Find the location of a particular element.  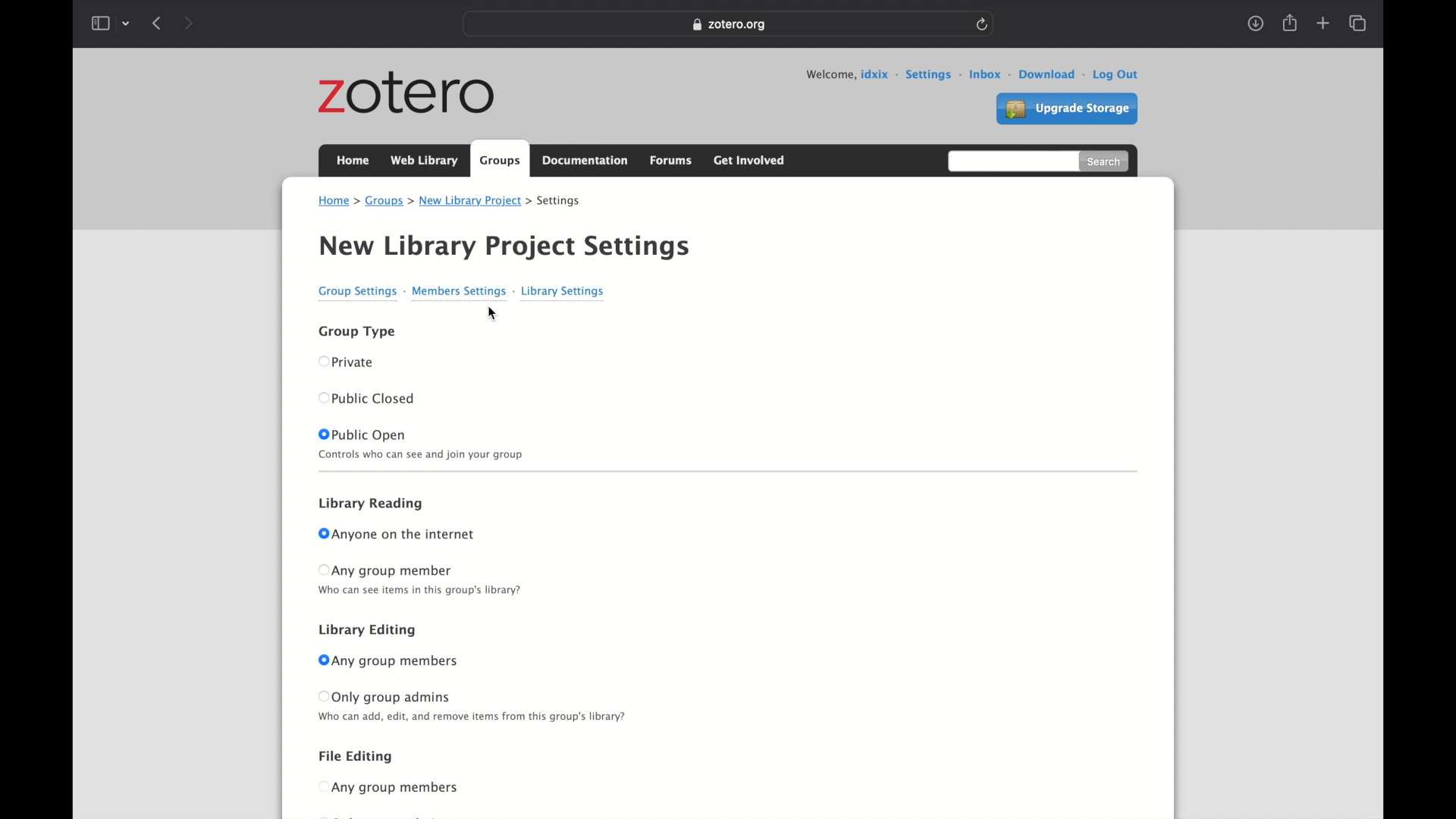

library editing is located at coordinates (367, 630).